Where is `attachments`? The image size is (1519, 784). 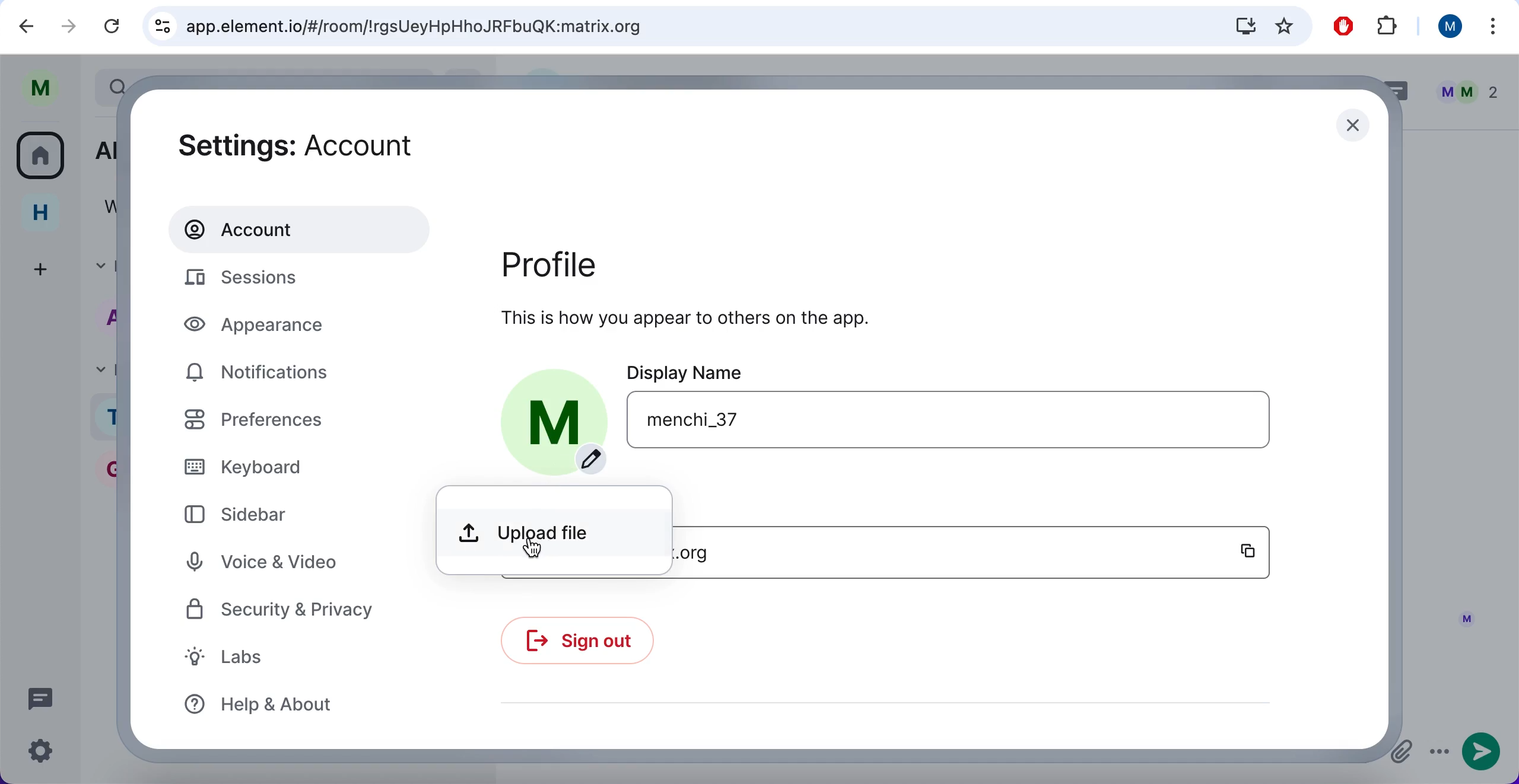
attachments is located at coordinates (1401, 753).